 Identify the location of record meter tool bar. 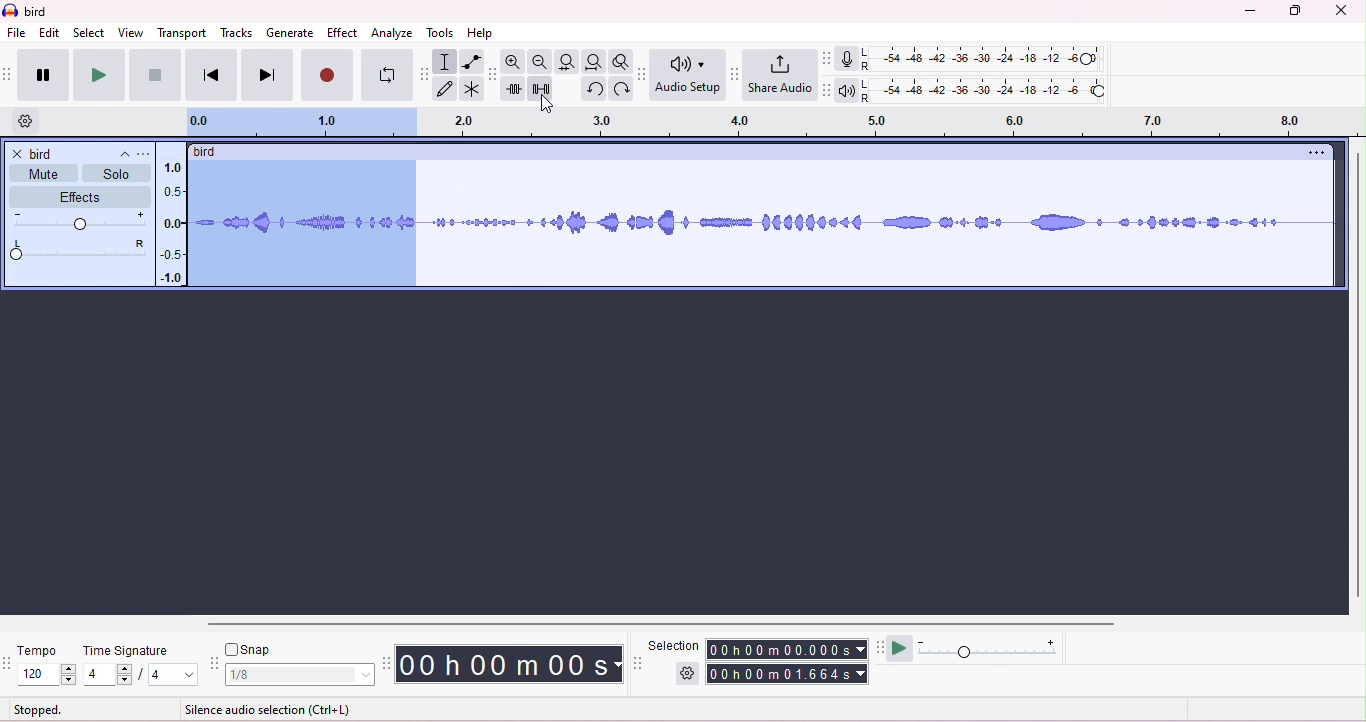
(830, 59).